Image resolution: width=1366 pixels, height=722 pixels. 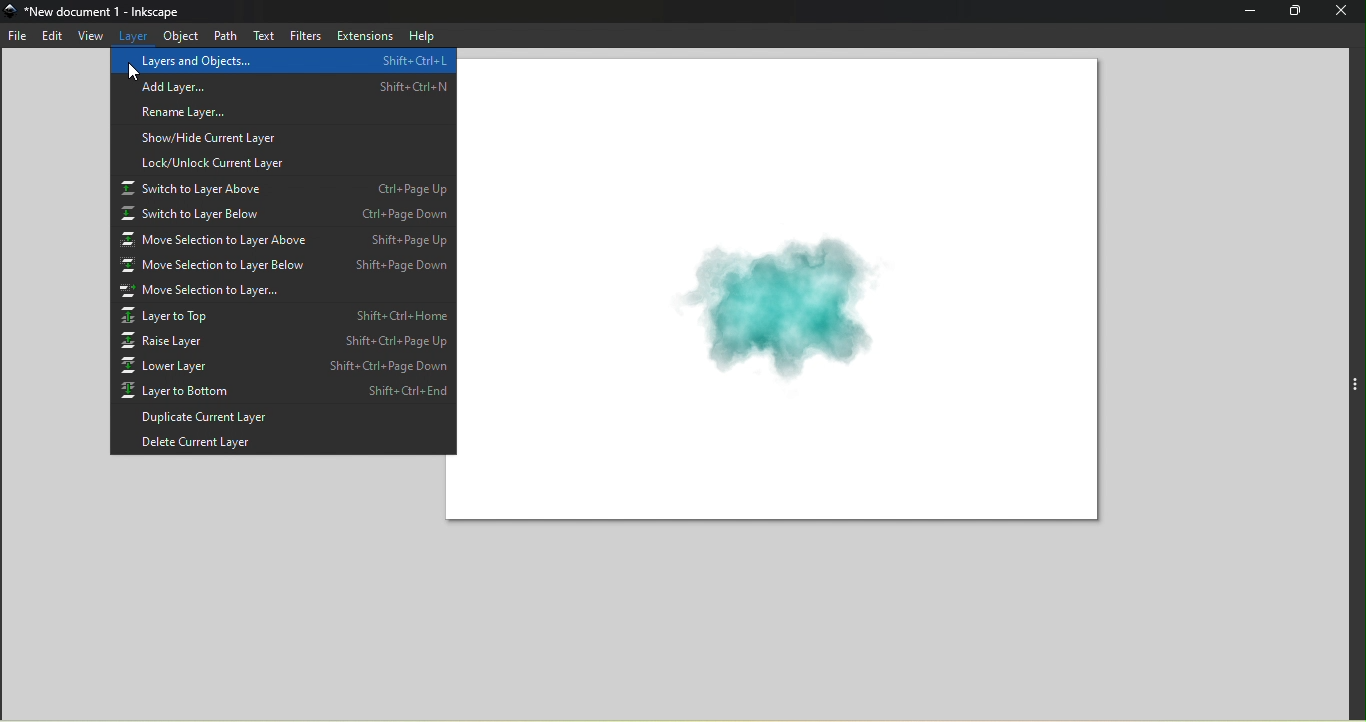 What do you see at coordinates (284, 292) in the screenshot?
I see `Move selection to layer` at bounding box center [284, 292].